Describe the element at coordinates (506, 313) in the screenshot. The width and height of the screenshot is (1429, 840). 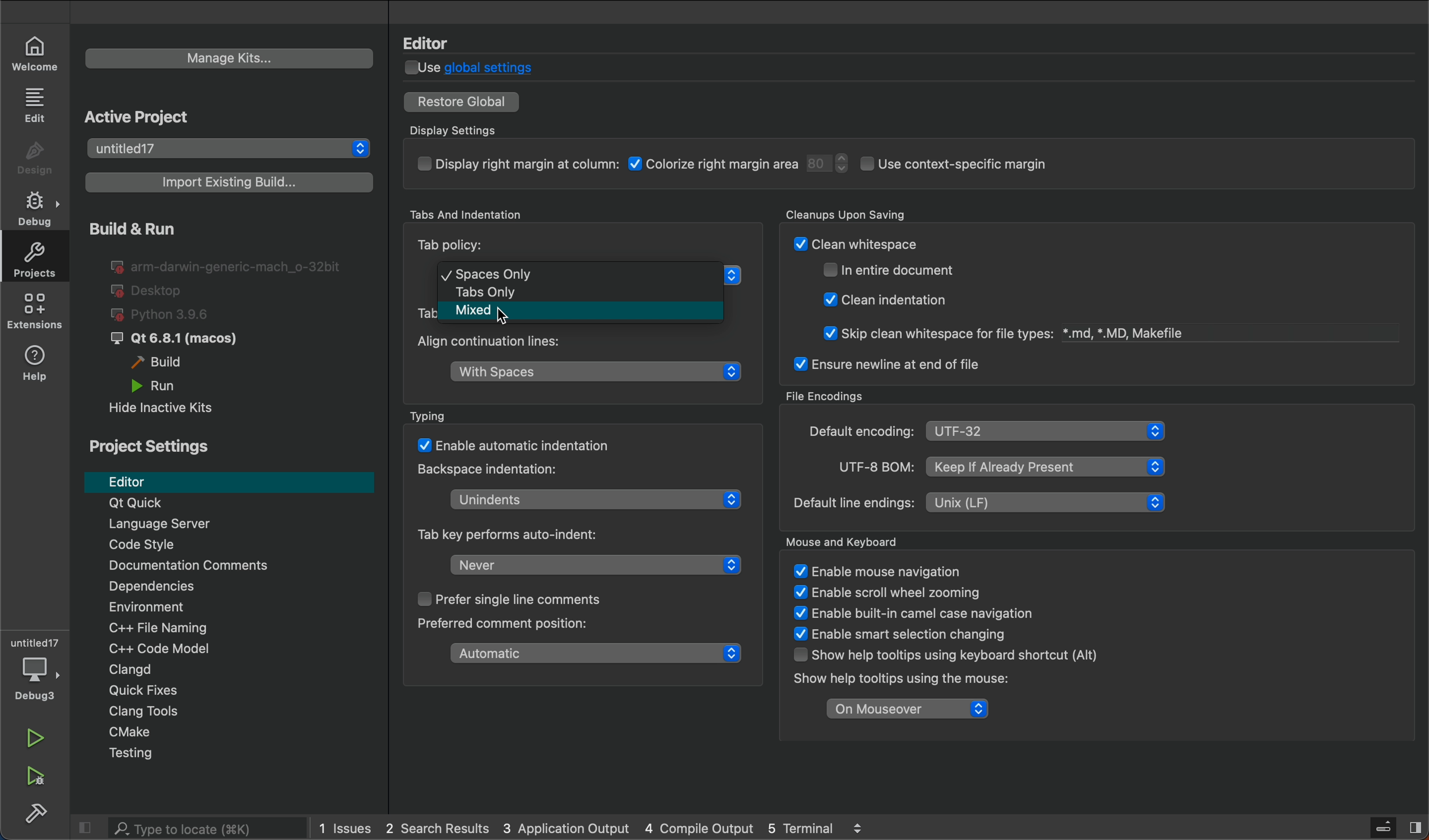
I see `Cursor` at that location.